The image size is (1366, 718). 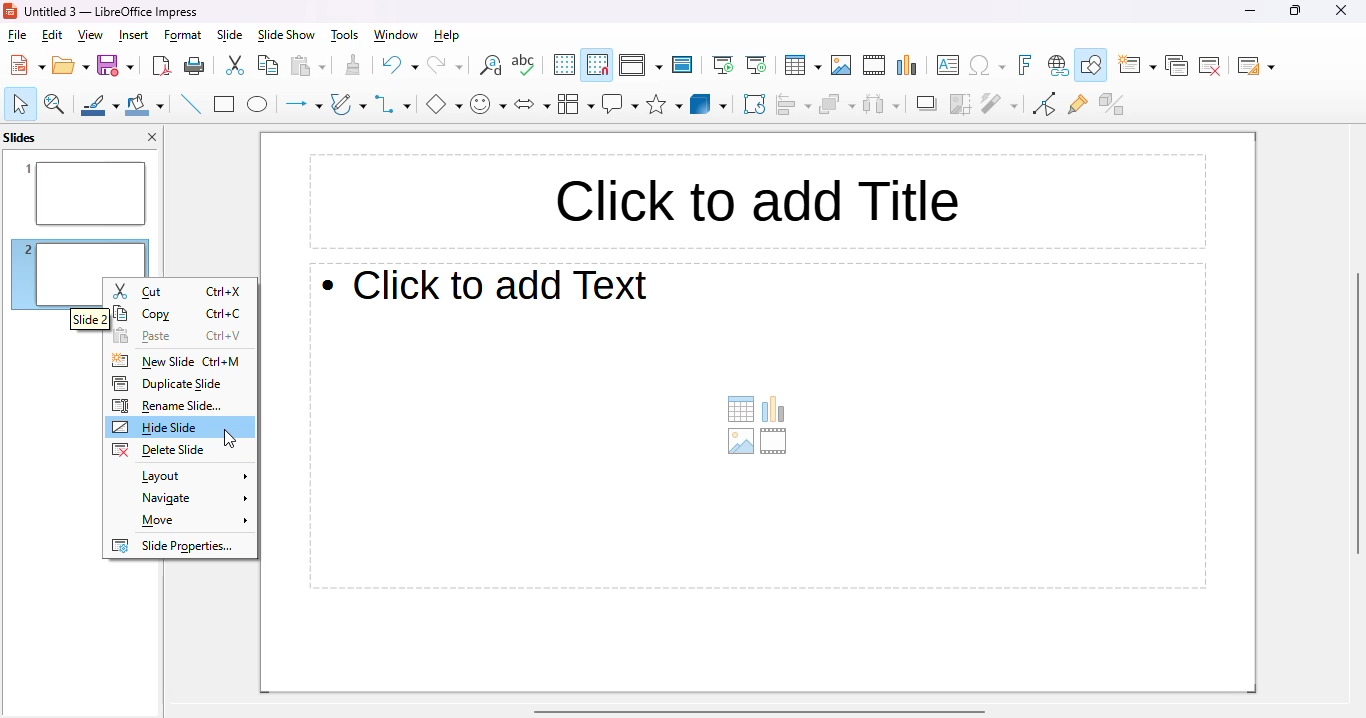 What do you see at coordinates (156, 427) in the screenshot?
I see `hide slide` at bounding box center [156, 427].